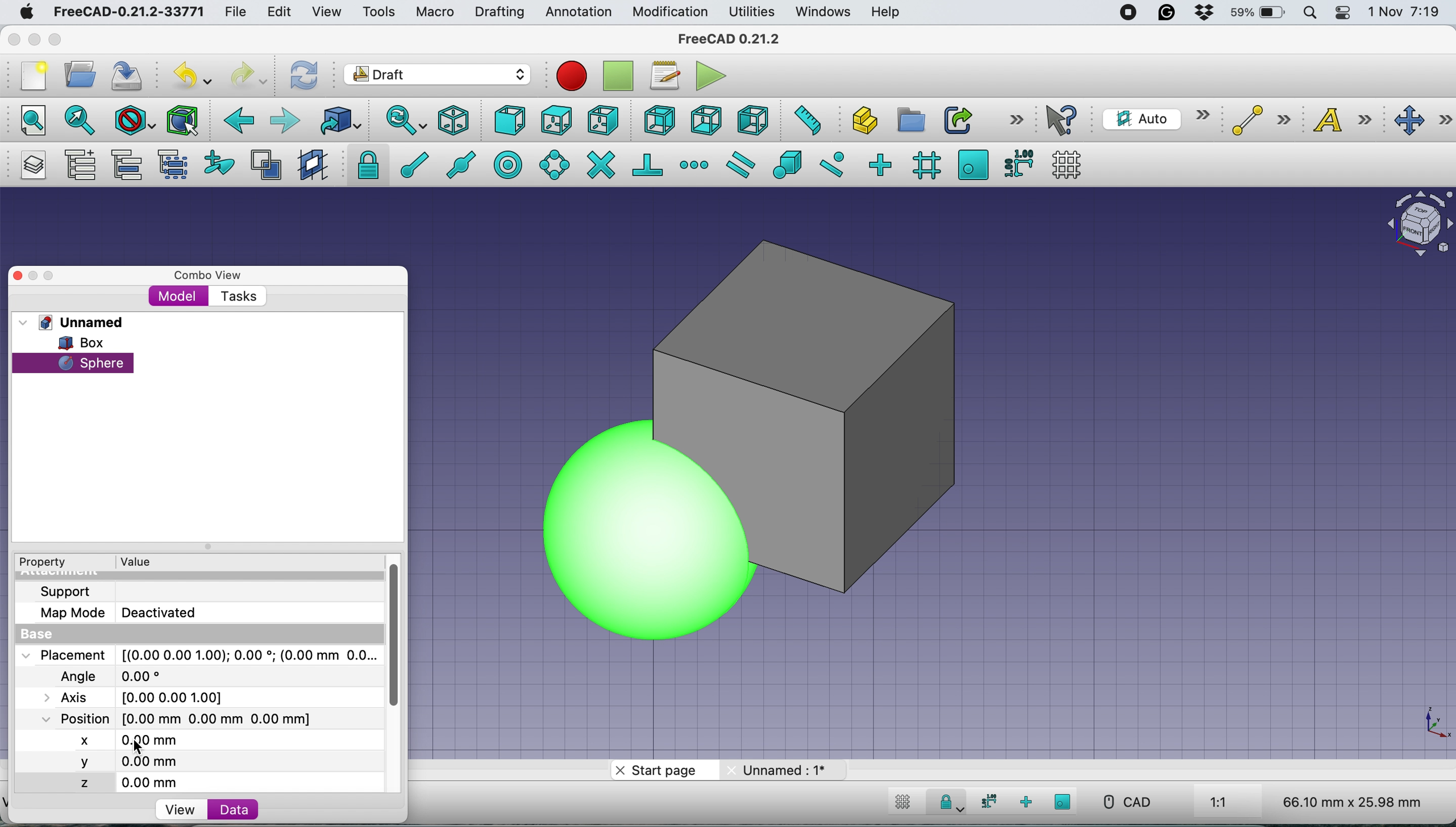  I want to click on create group, so click(909, 120).